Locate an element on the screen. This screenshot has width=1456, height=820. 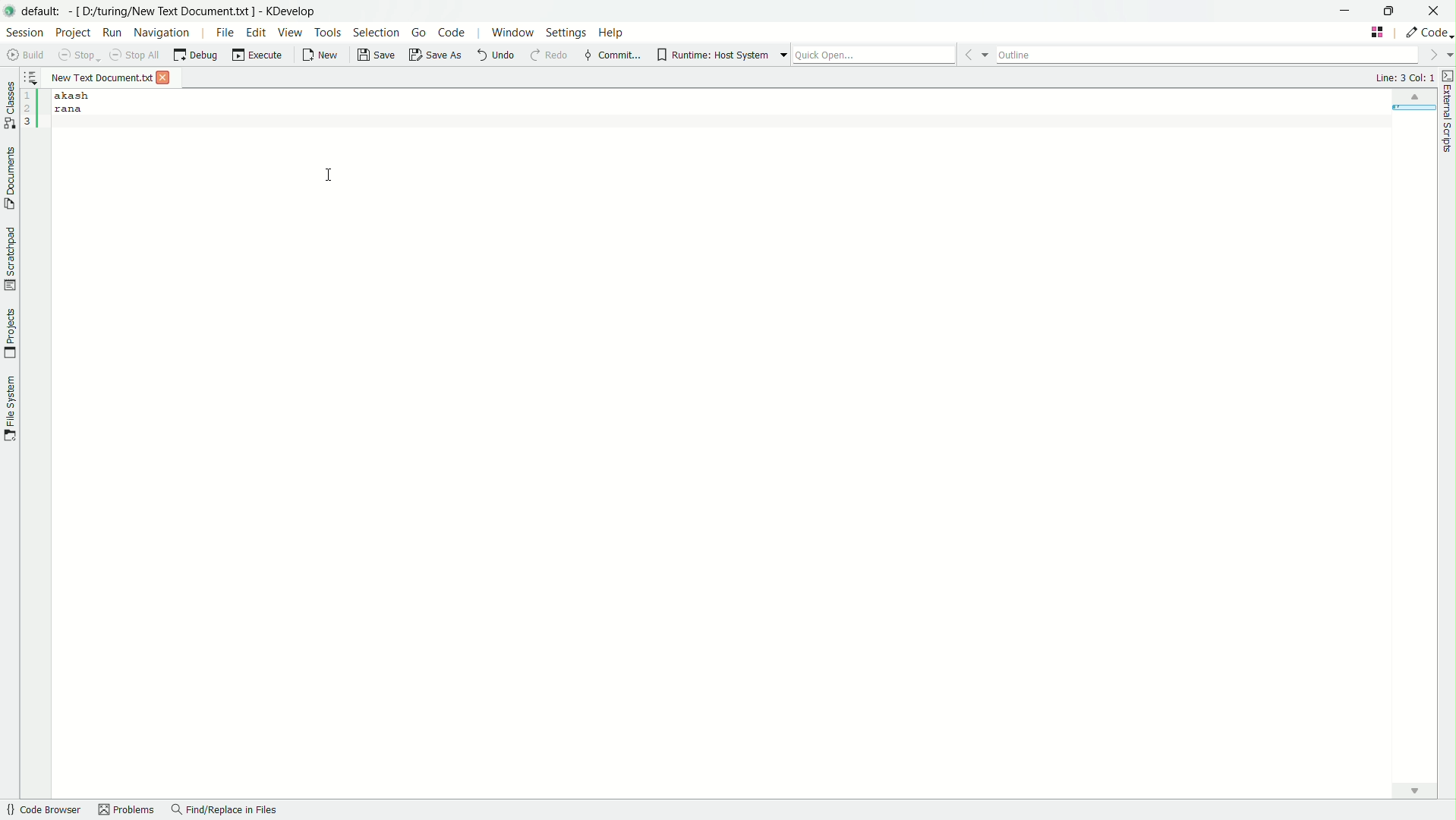
file menu is located at coordinates (225, 32).